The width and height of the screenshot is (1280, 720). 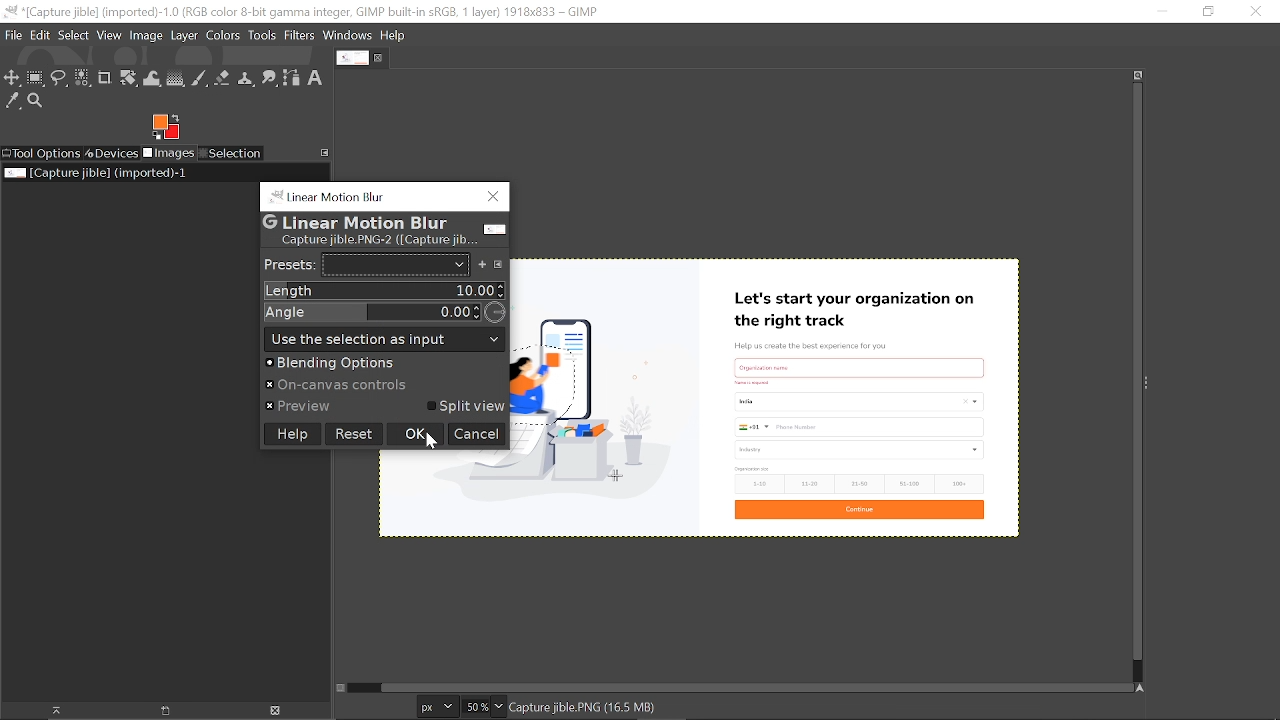 What do you see at coordinates (82, 79) in the screenshot?
I see `Select by color` at bounding box center [82, 79].